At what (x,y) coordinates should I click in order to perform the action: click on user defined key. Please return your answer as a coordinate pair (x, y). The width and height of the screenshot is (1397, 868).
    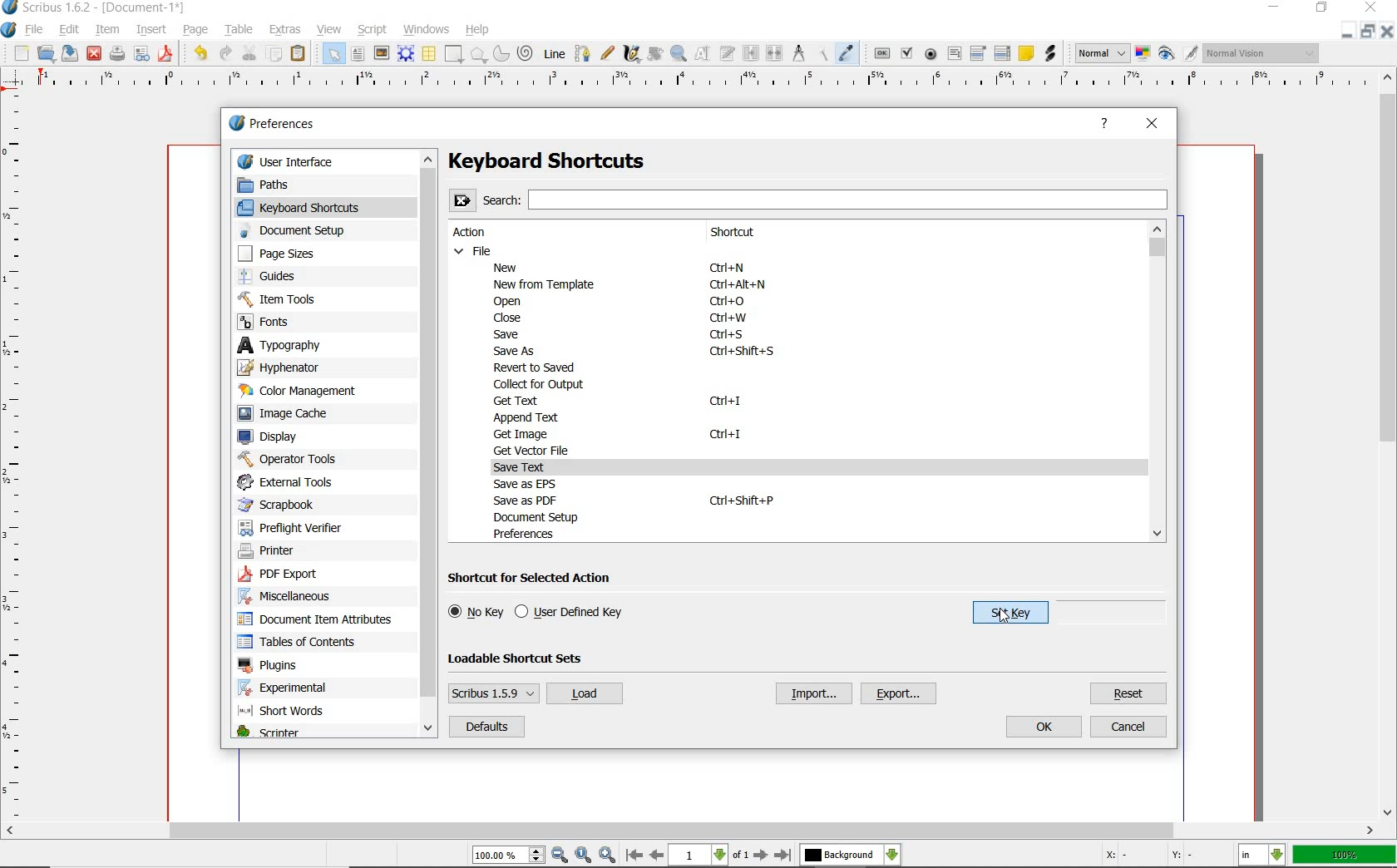
    Looking at the image, I should click on (572, 613).